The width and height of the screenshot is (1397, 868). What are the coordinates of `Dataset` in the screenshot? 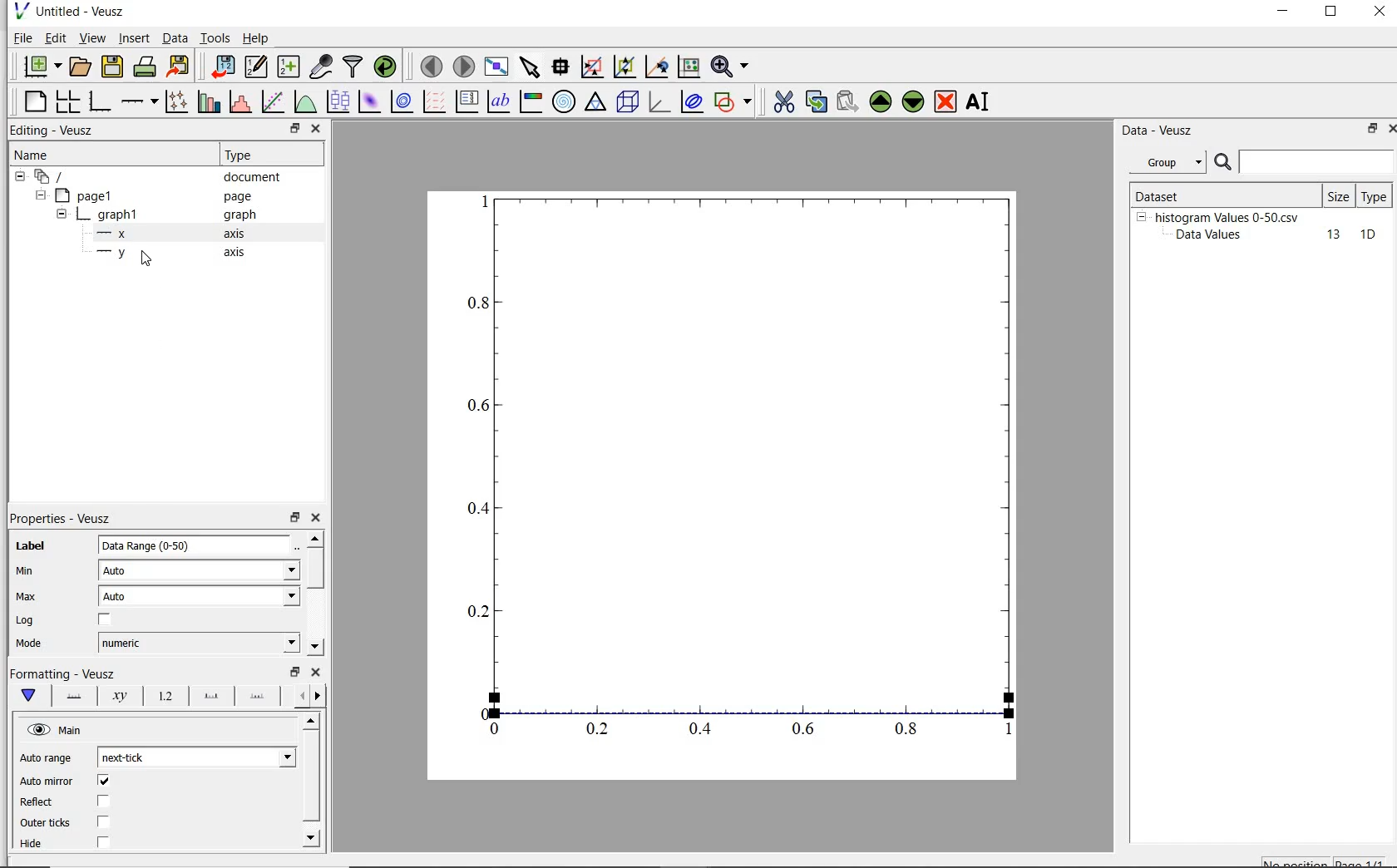 It's located at (1184, 194).